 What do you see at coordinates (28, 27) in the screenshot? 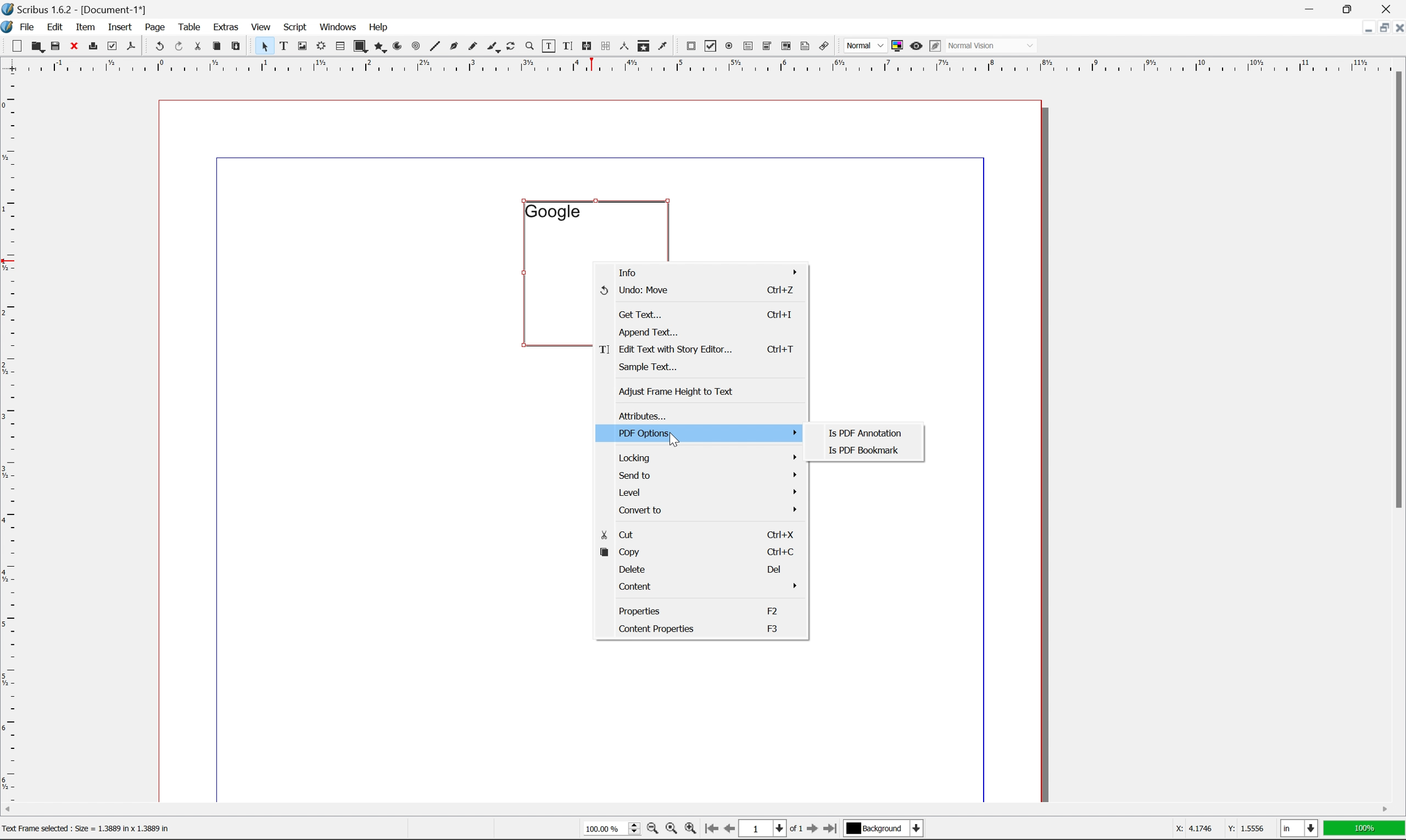
I see `file` at bounding box center [28, 27].